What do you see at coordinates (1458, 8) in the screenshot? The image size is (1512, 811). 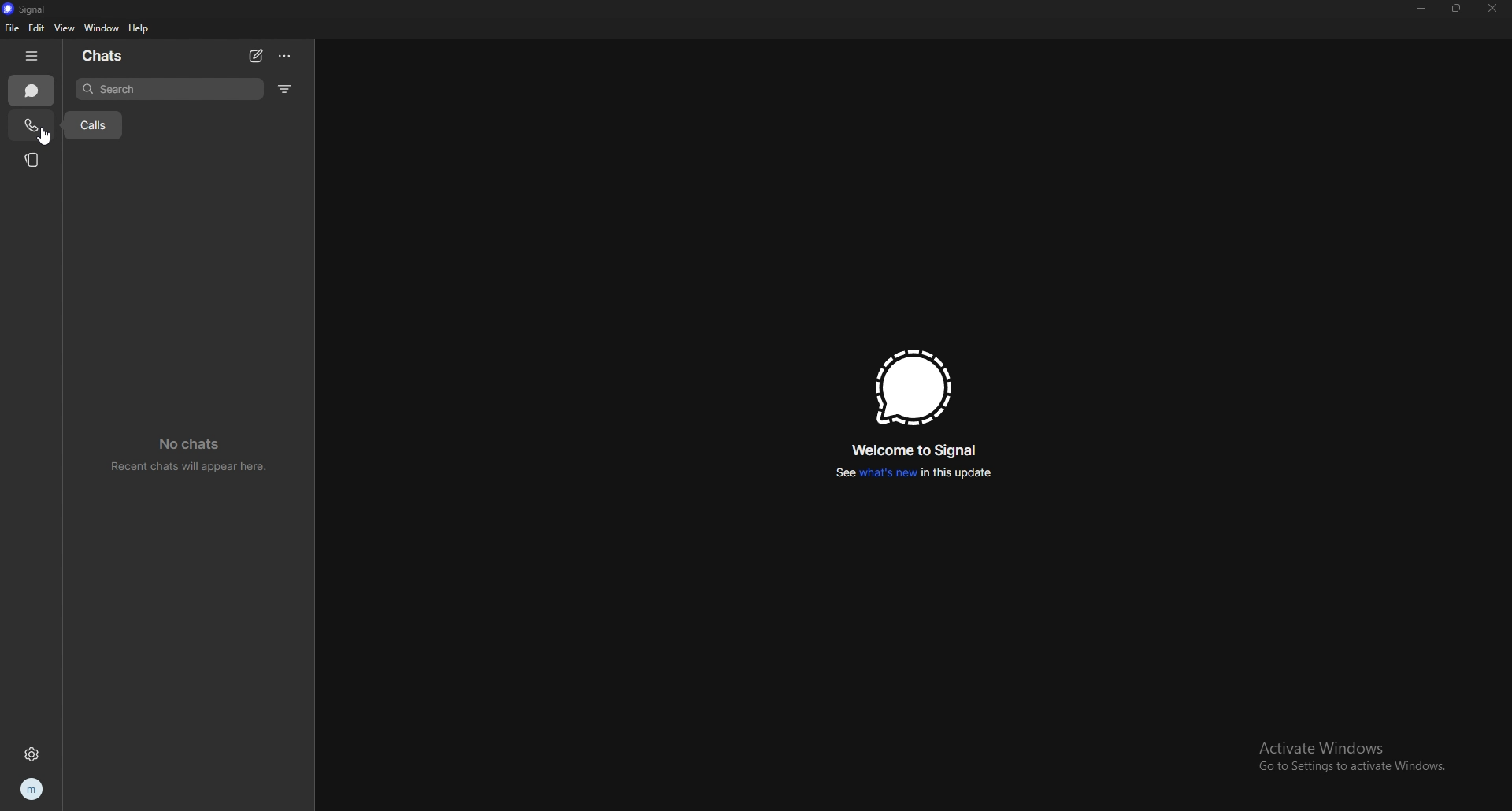 I see `resize` at bounding box center [1458, 8].